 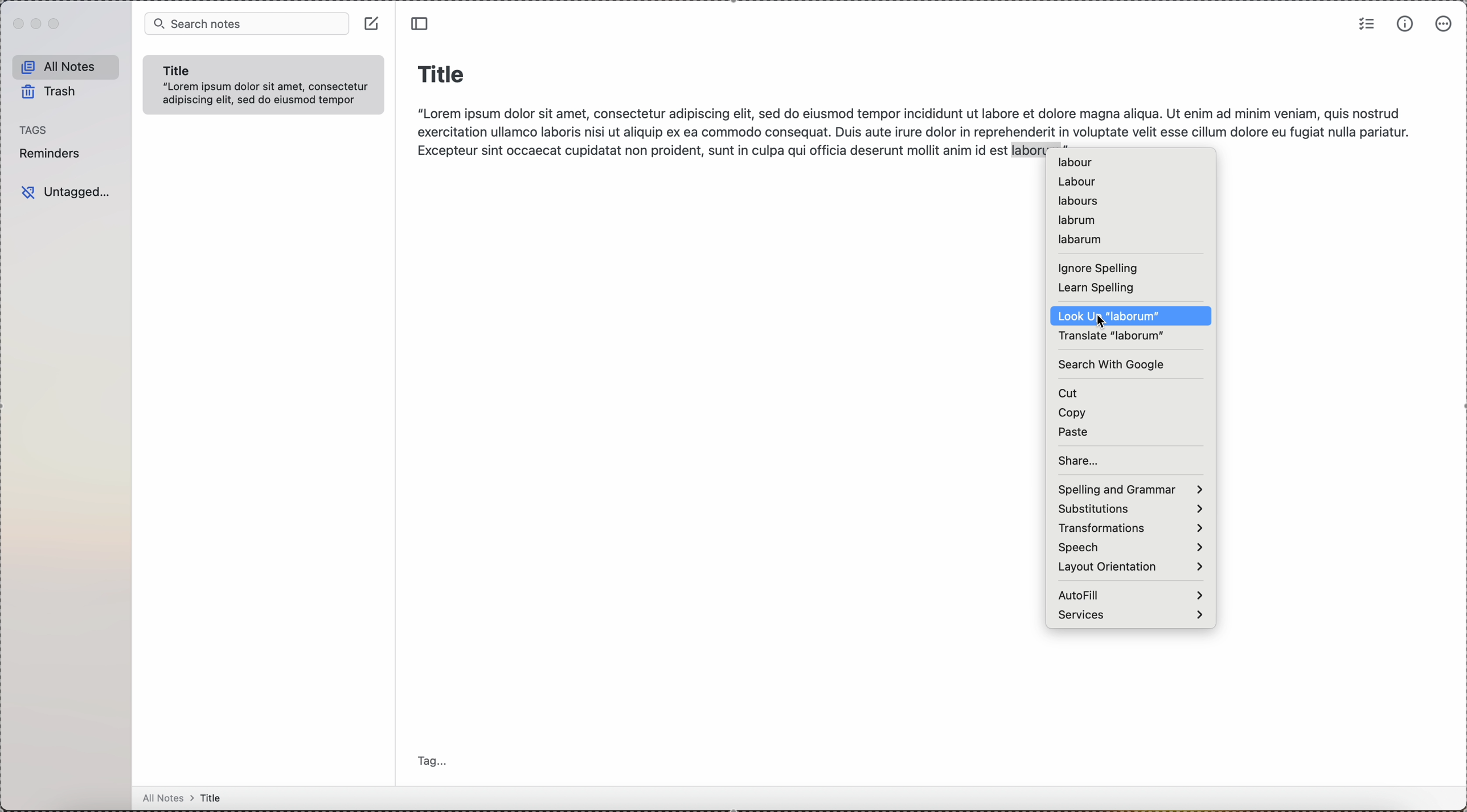 What do you see at coordinates (1072, 413) in the screenshot?
I see `copy` at bounding box center [1072, 413].